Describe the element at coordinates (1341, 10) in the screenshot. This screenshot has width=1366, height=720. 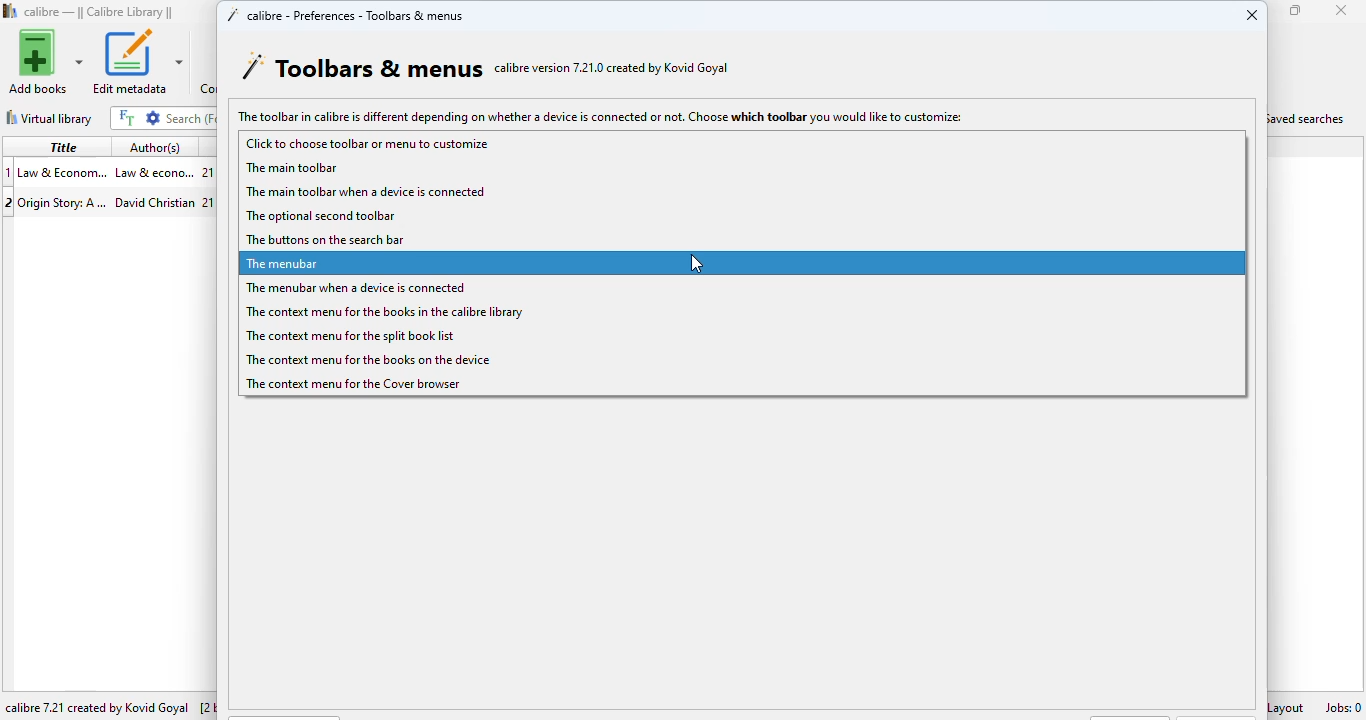
I see `close` at that location.